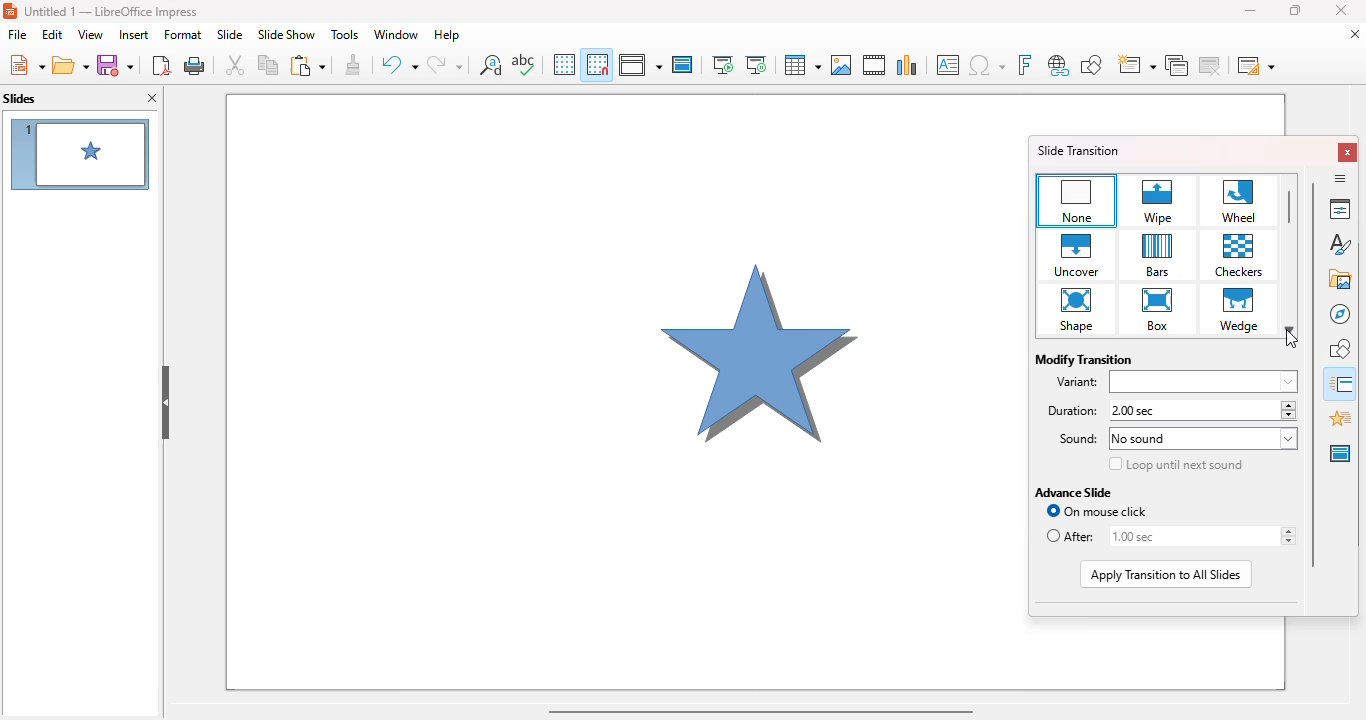 The height and width of the screenshot is (720, 1366). I want to click on display views, so click(639, 64).